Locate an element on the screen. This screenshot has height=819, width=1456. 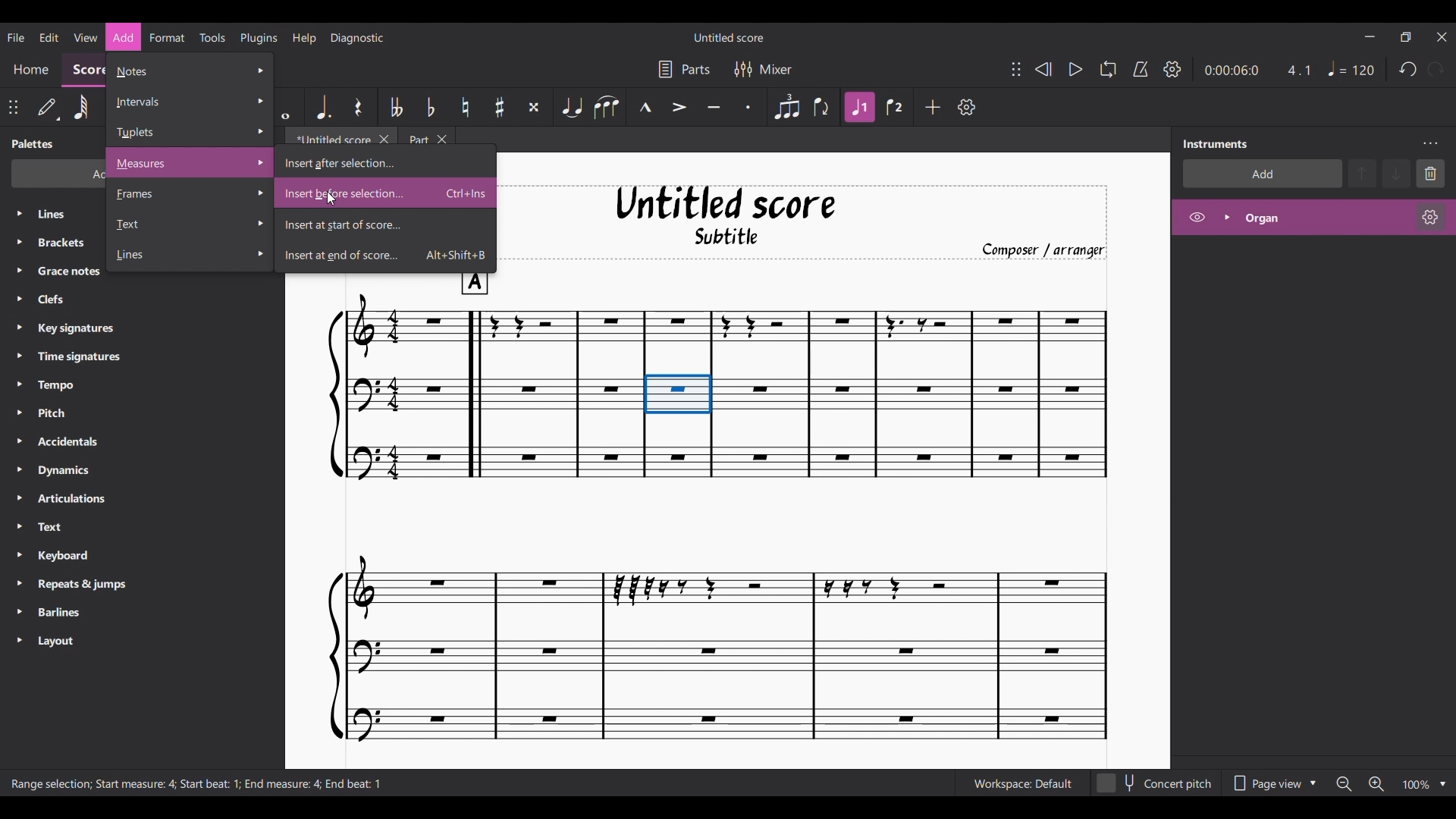
View menu is located at coordinates (86, 37).